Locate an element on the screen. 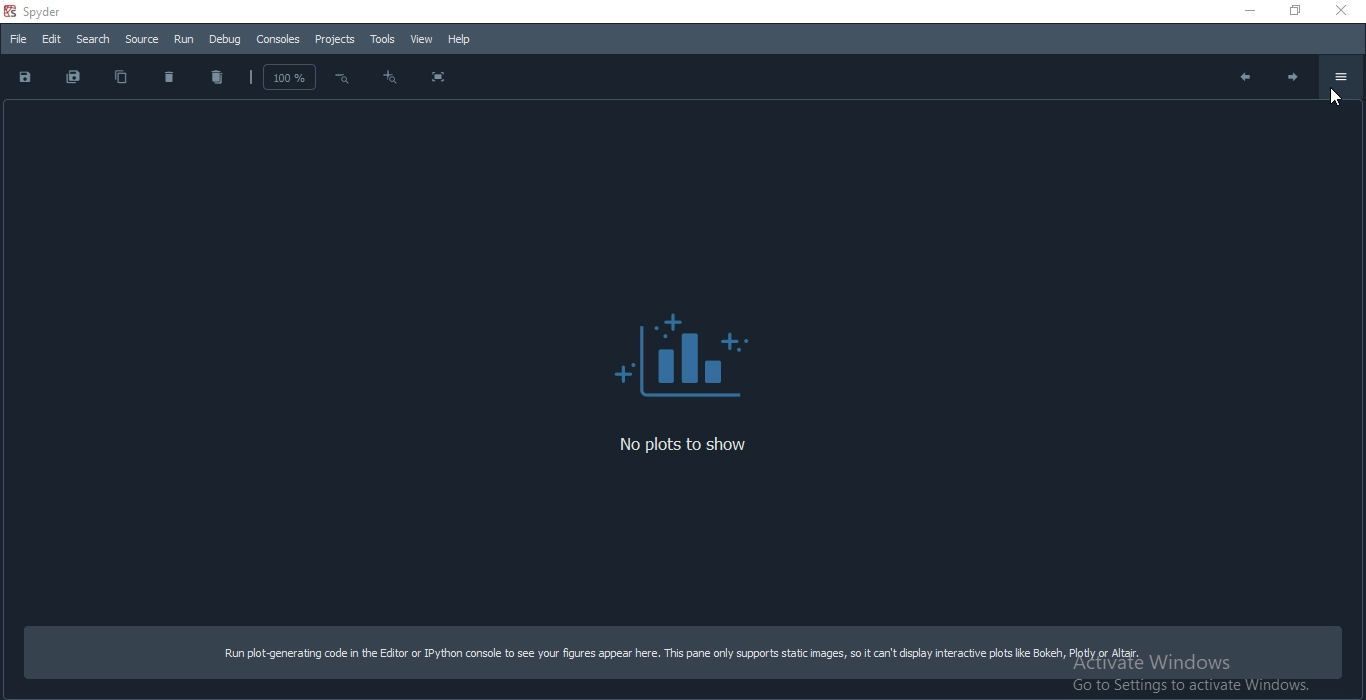  close is located at coordinates (1344, 10).